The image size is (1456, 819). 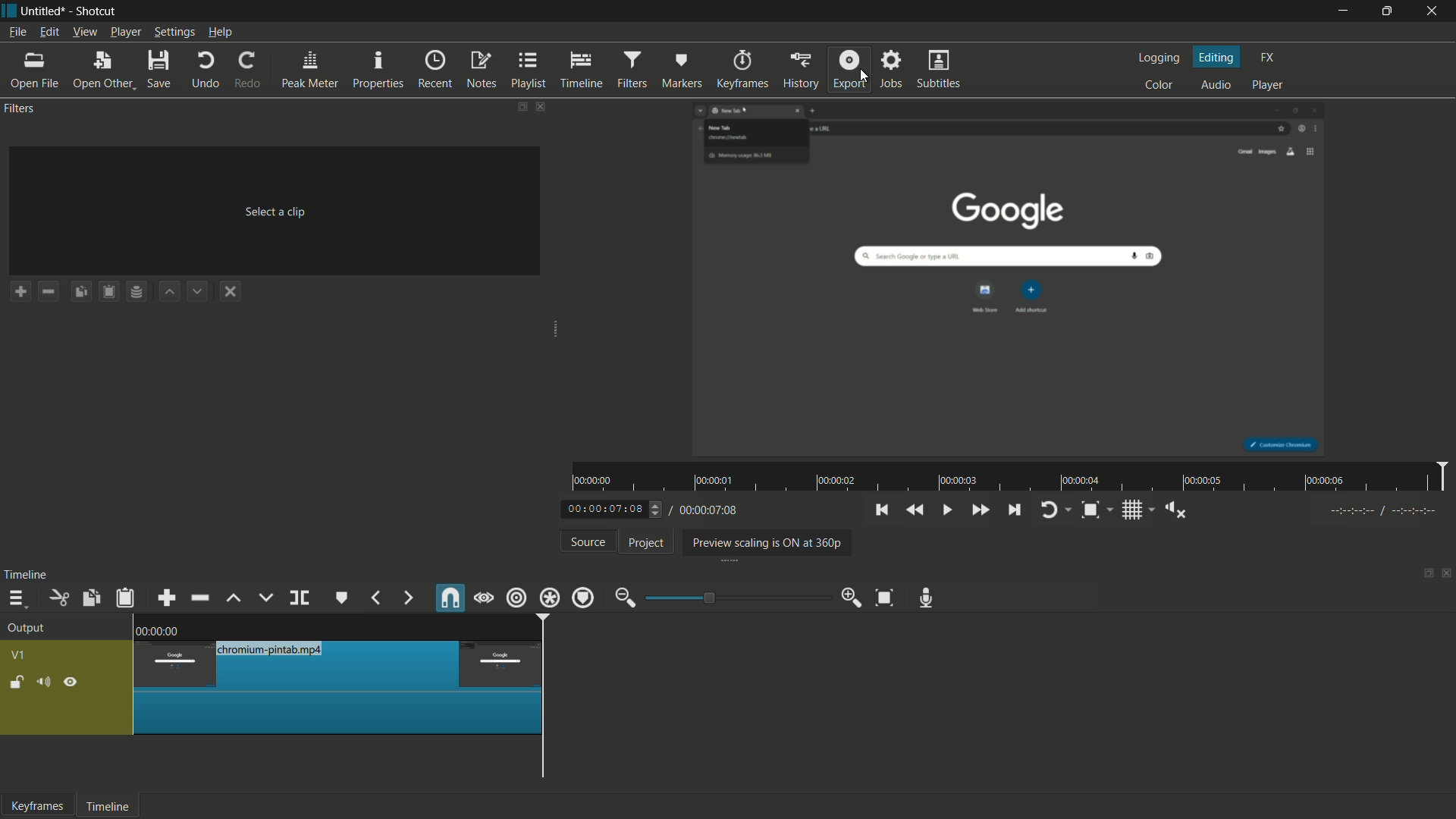 What do you see at coordinates (71, 685) in the screenshot?
I see `hide` at bounding box center [71, 685].